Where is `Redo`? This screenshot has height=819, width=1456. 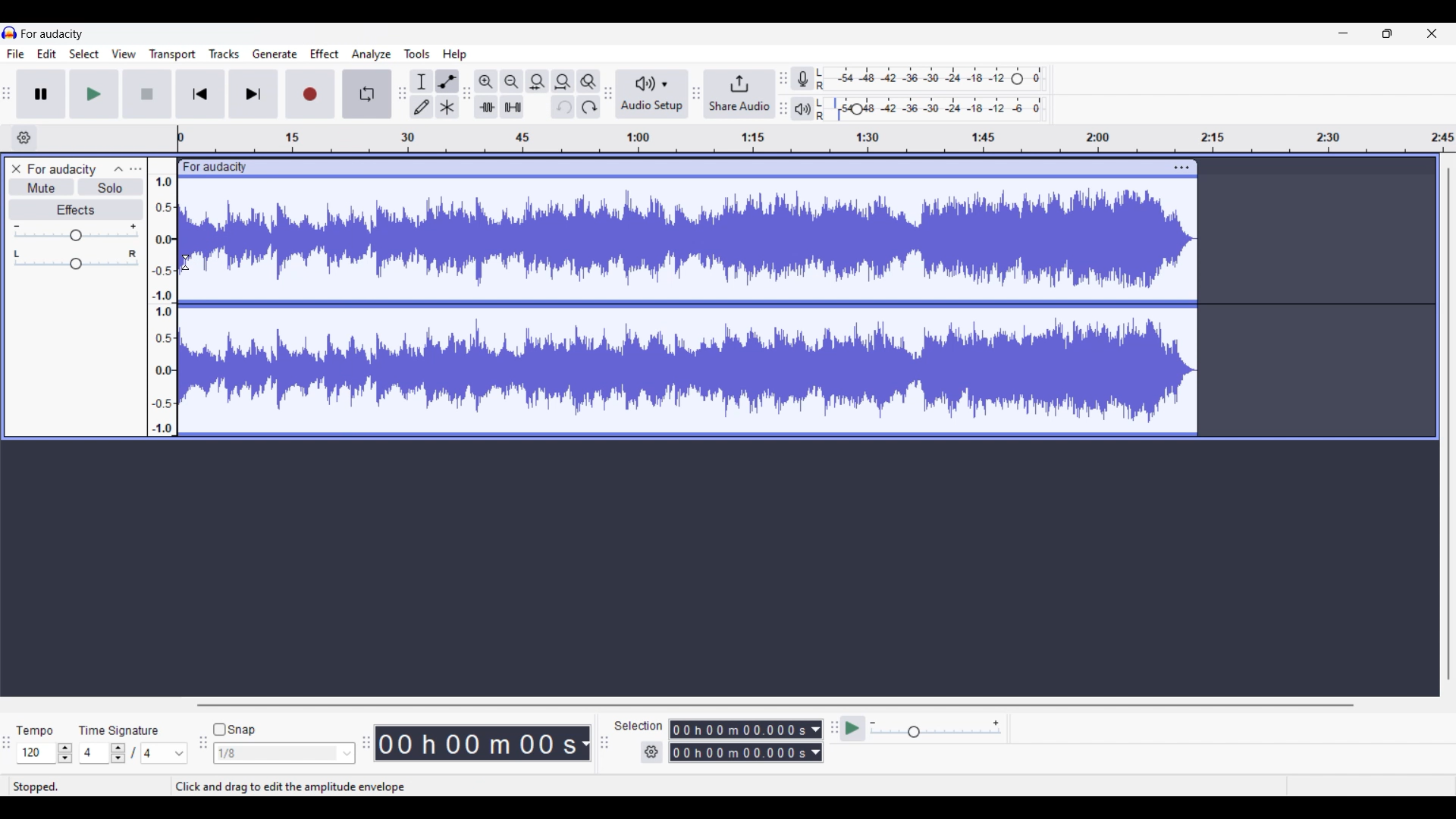
Redo is located at coordinates (589, 106).